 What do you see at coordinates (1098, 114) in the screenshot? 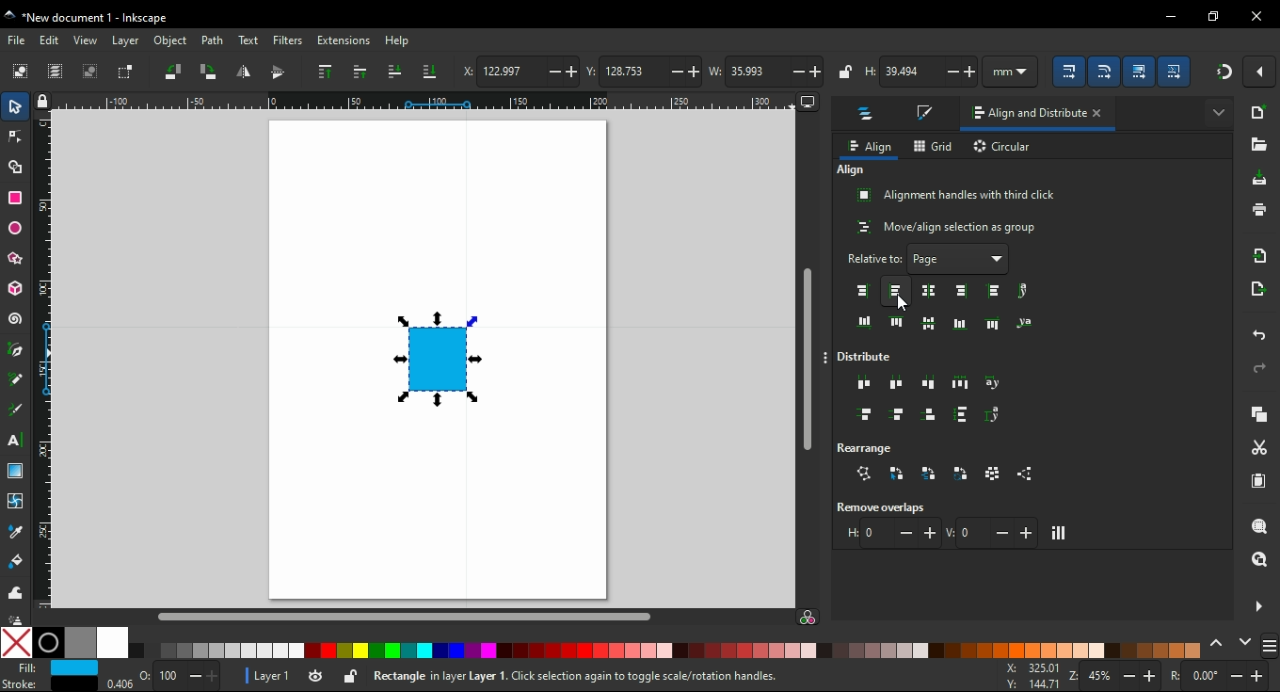
I see `close` at bounding box center [1098, 114].